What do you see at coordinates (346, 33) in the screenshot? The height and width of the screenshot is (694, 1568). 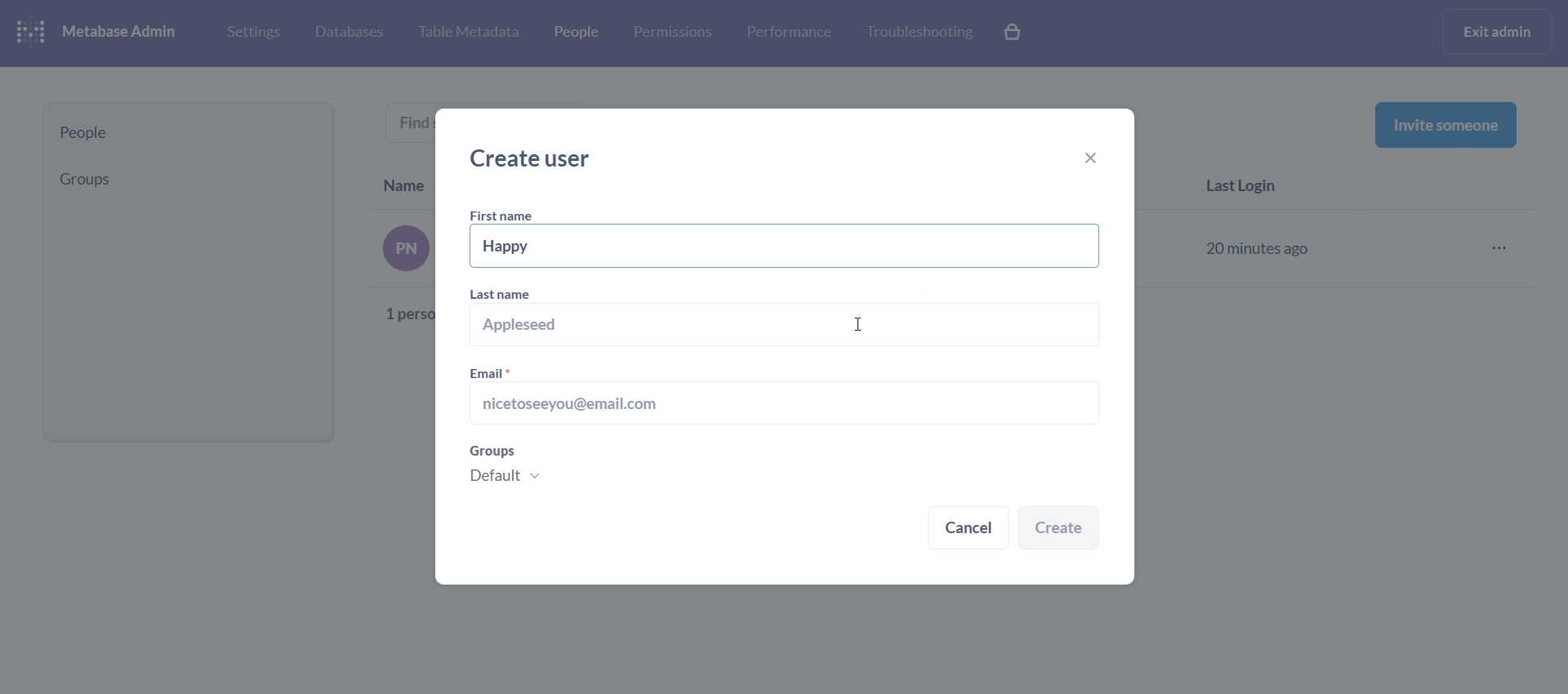 I see `database` at bounding box center [346, 33].